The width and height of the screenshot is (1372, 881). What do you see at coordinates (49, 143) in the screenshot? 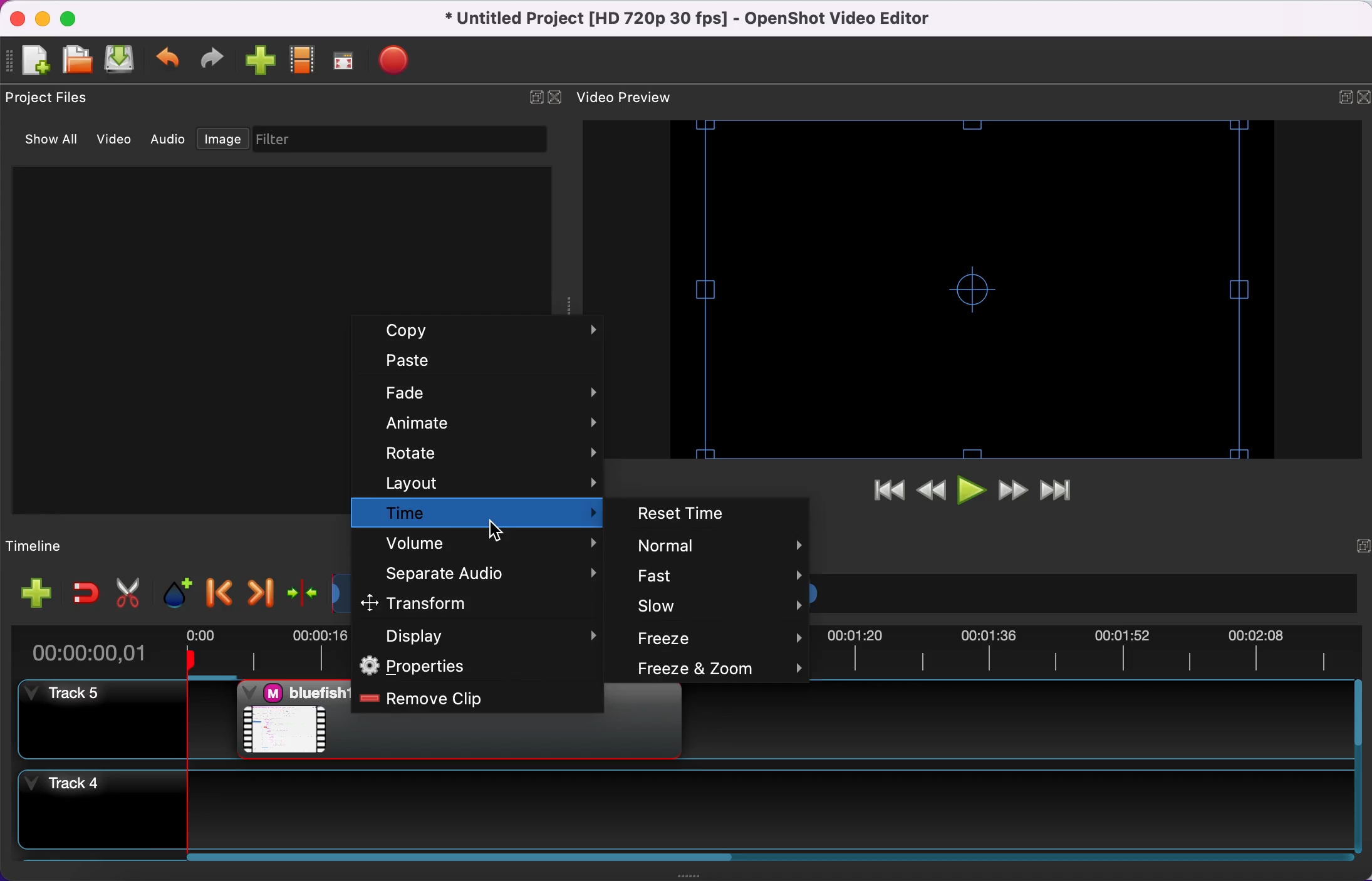
I see `show all` at bounding box center [49, 143].